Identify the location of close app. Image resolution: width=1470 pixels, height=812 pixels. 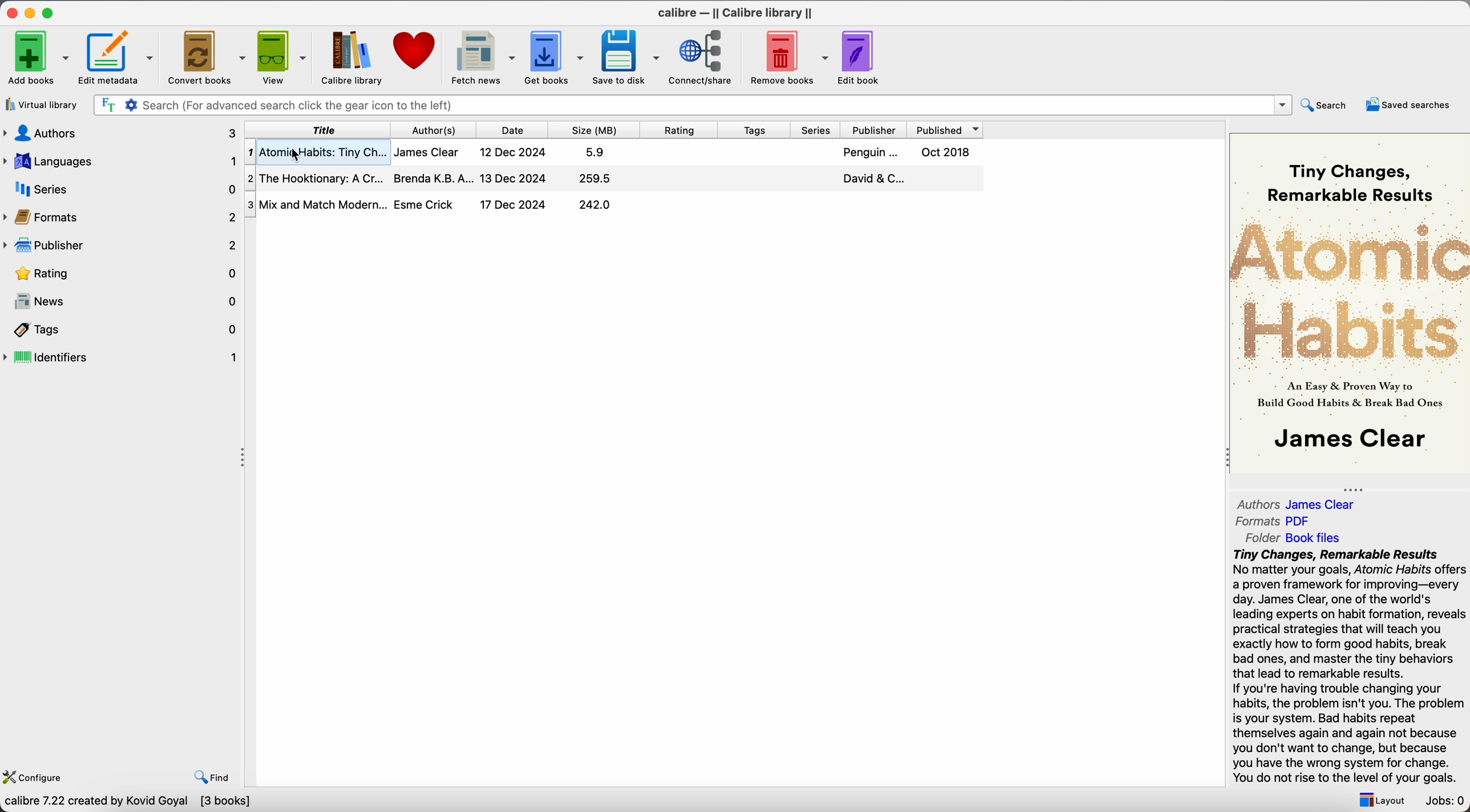
(12, 13).